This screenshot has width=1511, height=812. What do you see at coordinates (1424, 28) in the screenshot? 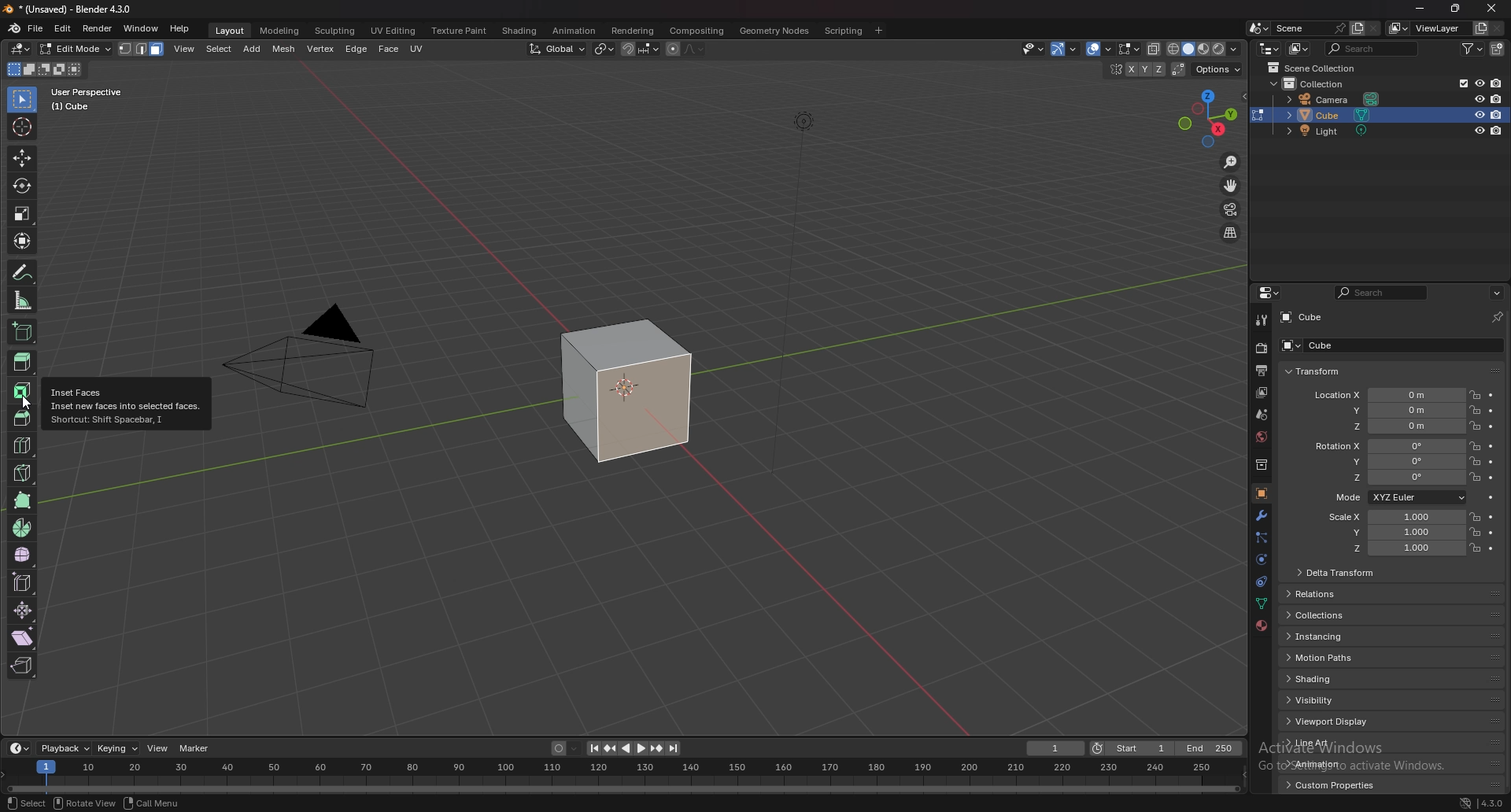
I see `view layer` at bounding box center [1424, 28].